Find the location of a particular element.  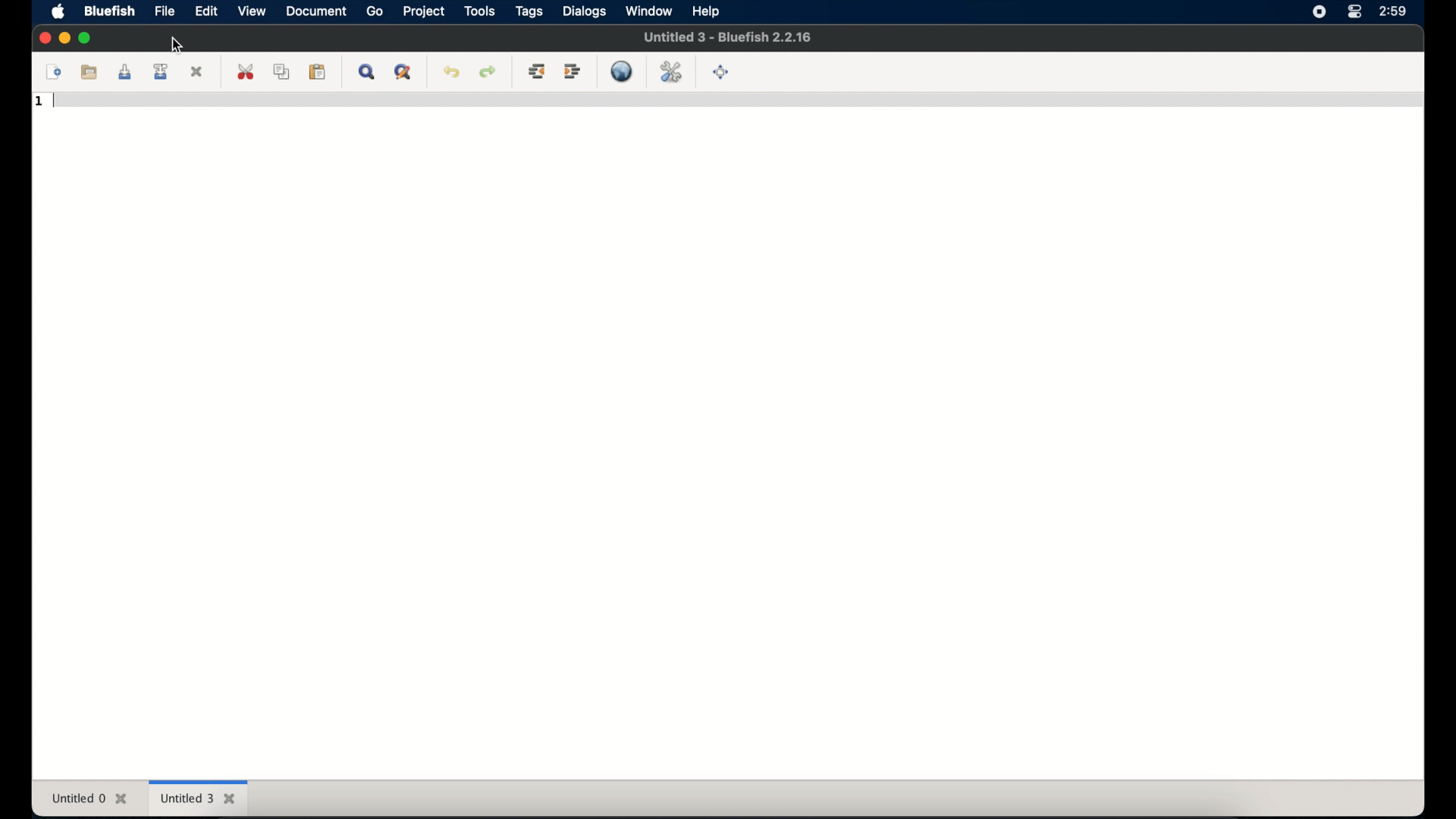

tools is located at coordinates (479, 11).